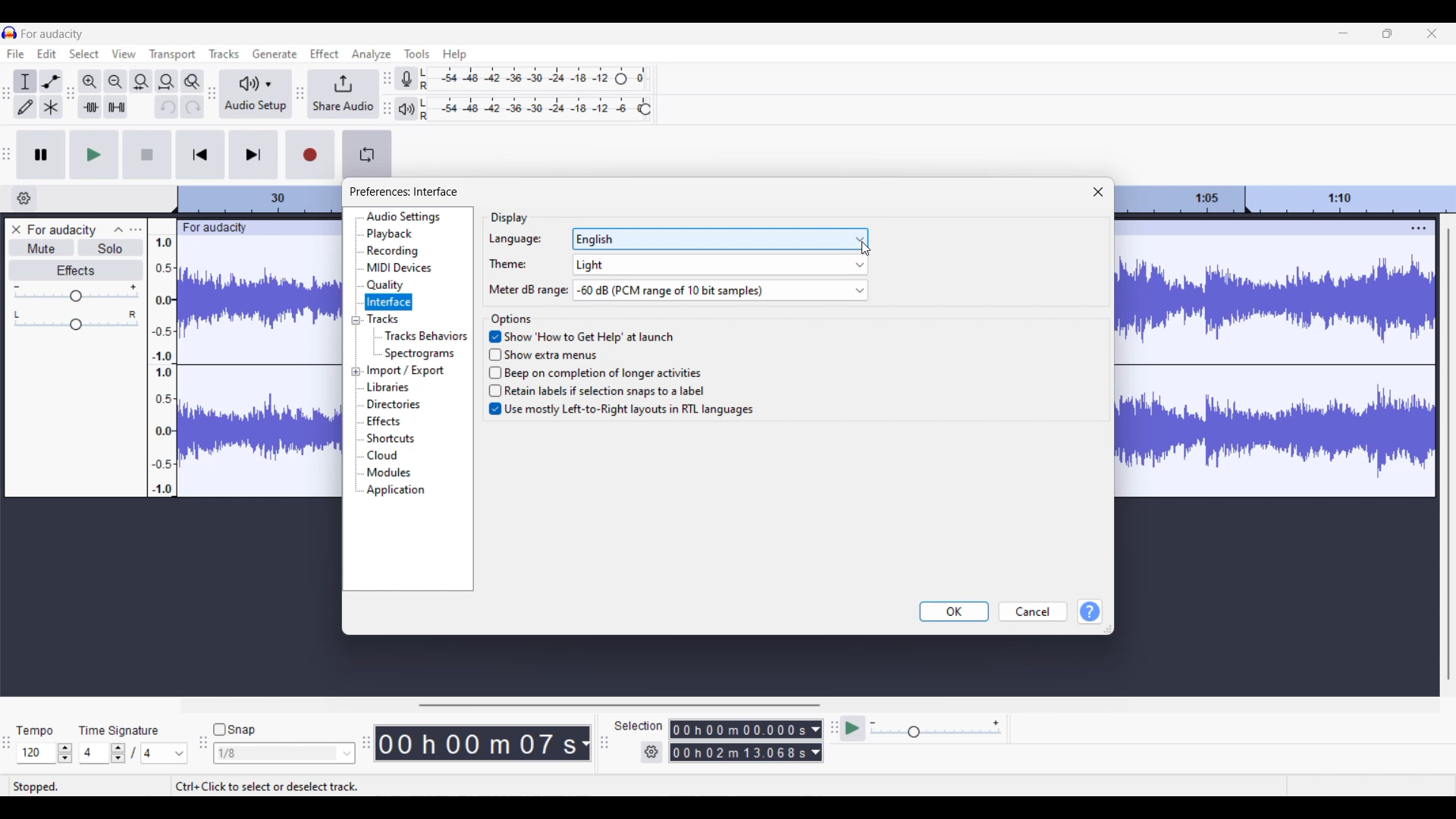  Describe the element at coordinates (325, 53) in the screenshot. I see `Effect menu` at that location.